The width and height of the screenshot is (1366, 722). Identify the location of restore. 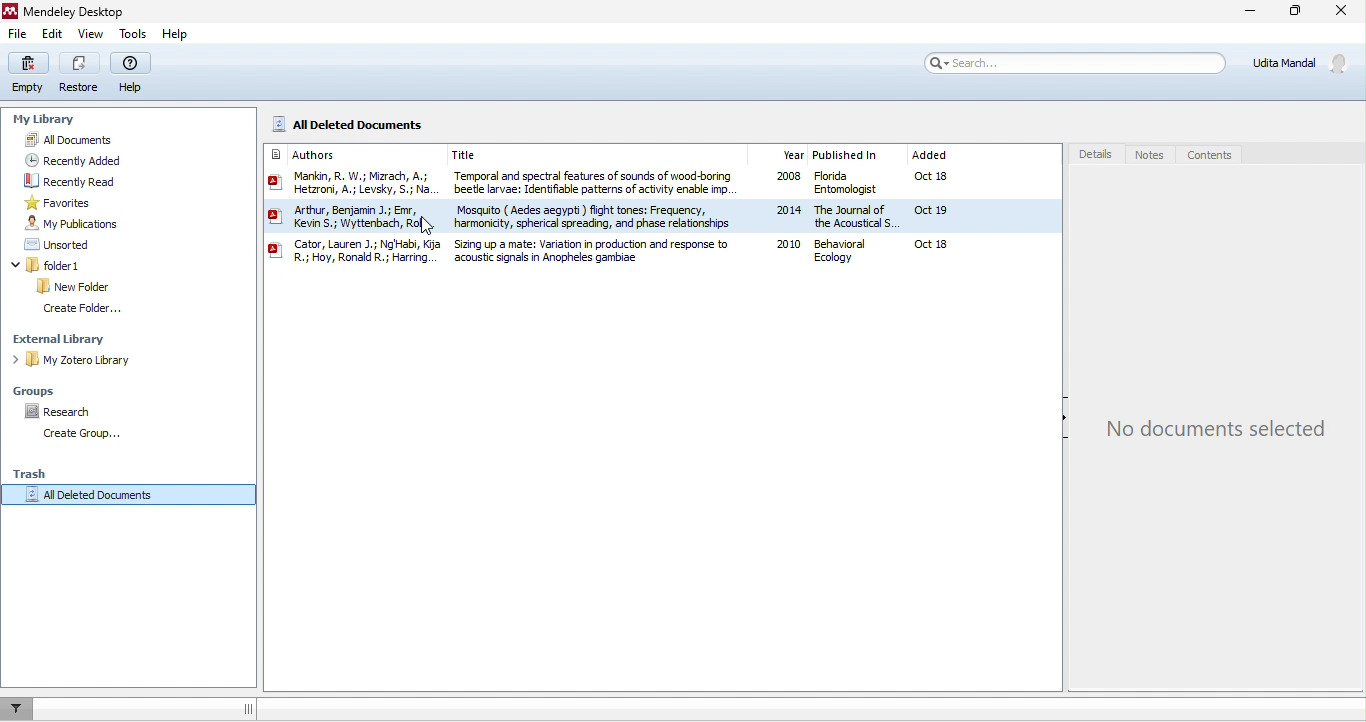
(82, 73).